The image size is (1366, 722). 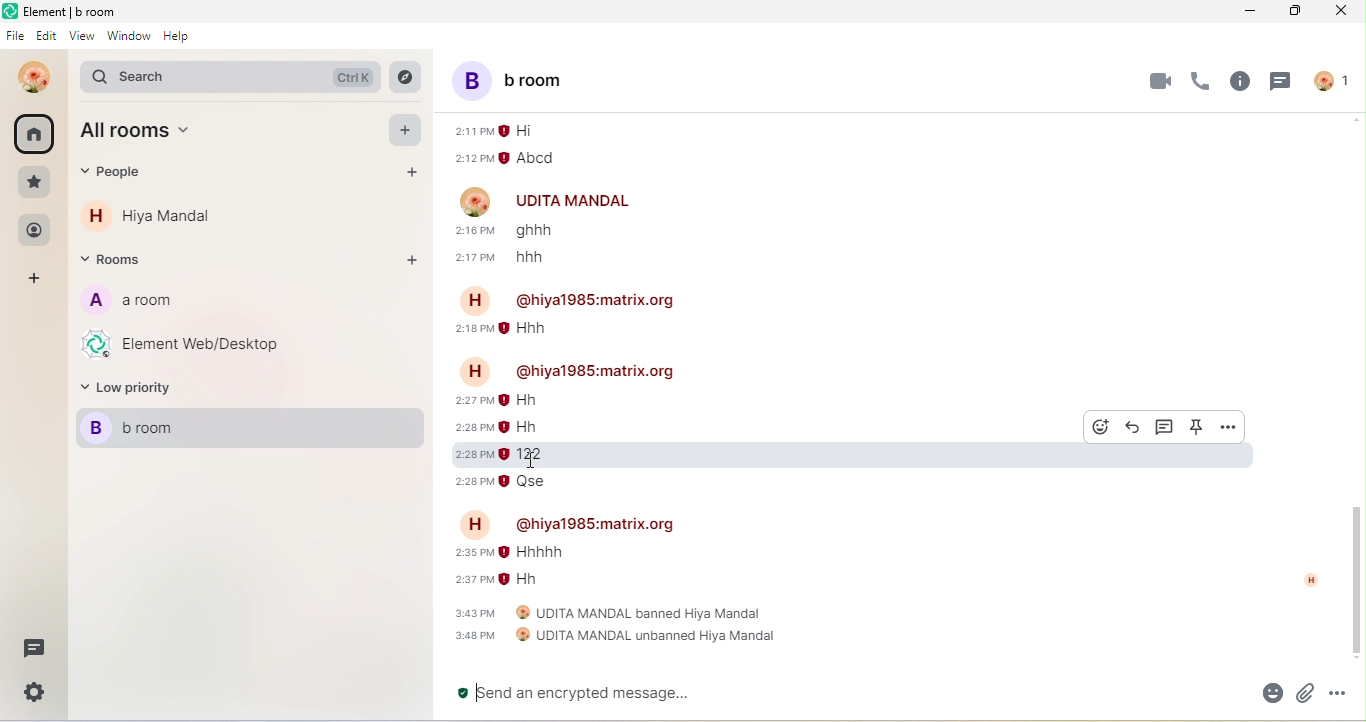 What do you see at coordinates (1264, 694) in the screenshot?
I see `emoji` at bounding box center [1264, 694].